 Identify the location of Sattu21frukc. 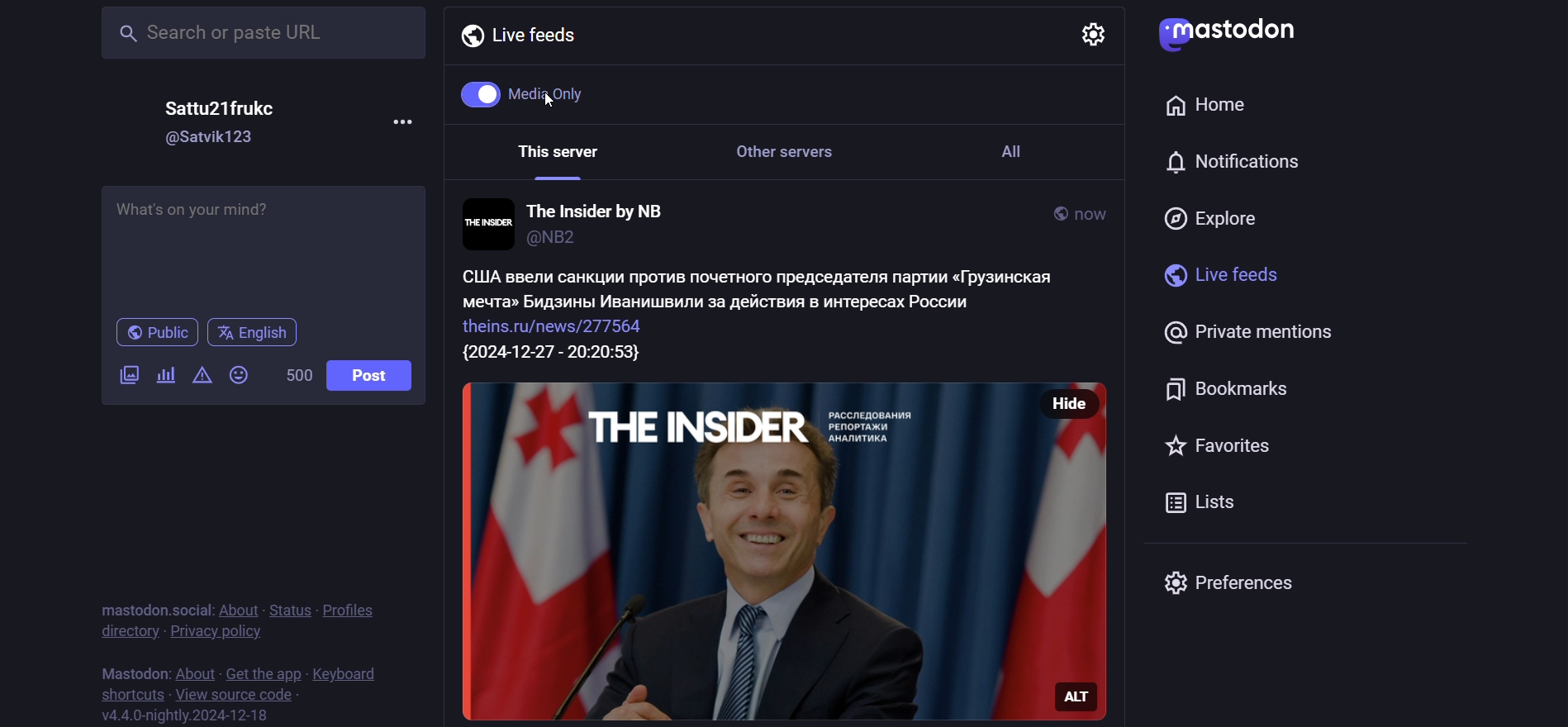
(222, 108).